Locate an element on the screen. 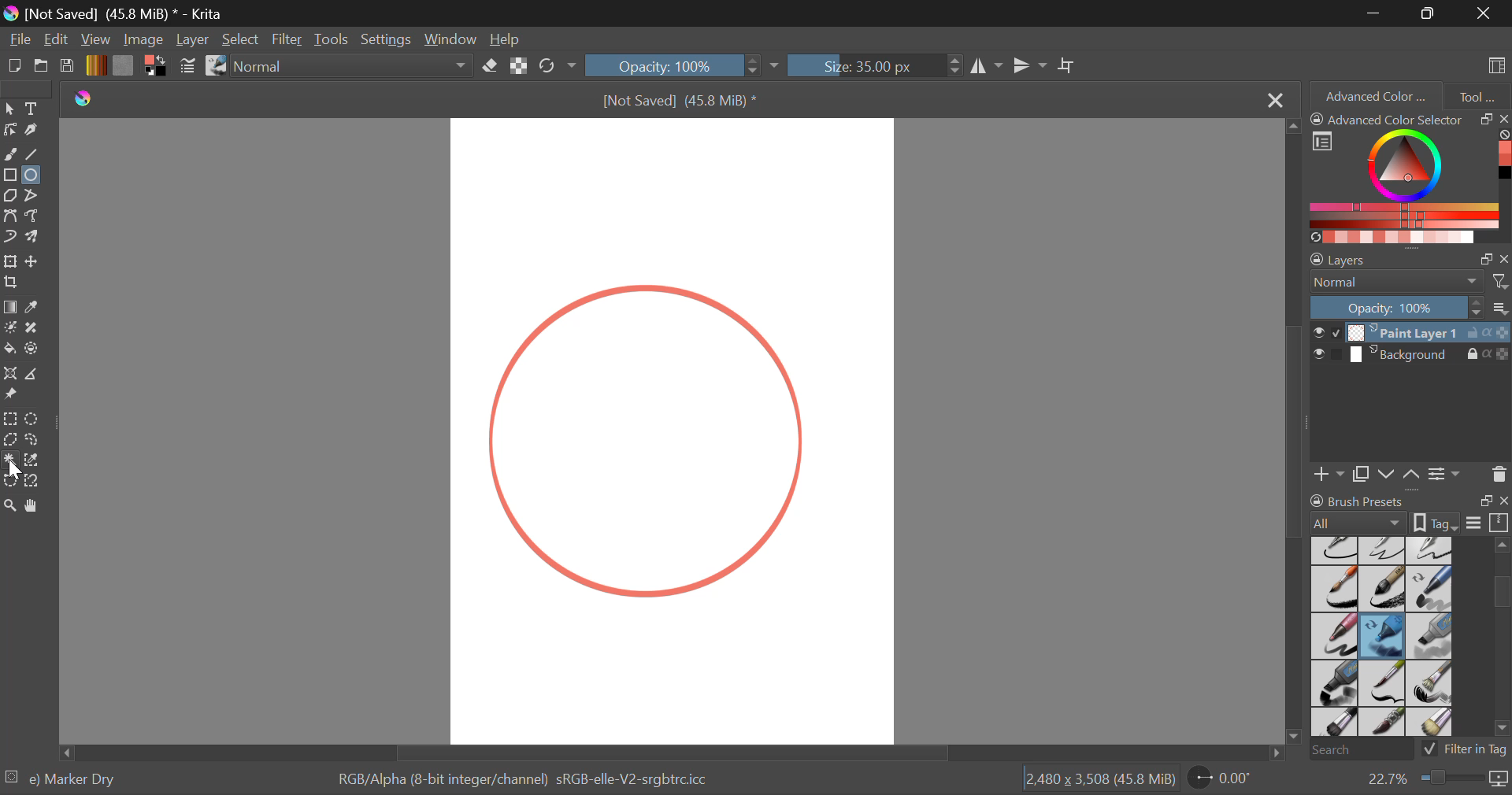 Image resolution: width=1512 pixels, height=795 pixels.  is located at coordinates (57, 41).